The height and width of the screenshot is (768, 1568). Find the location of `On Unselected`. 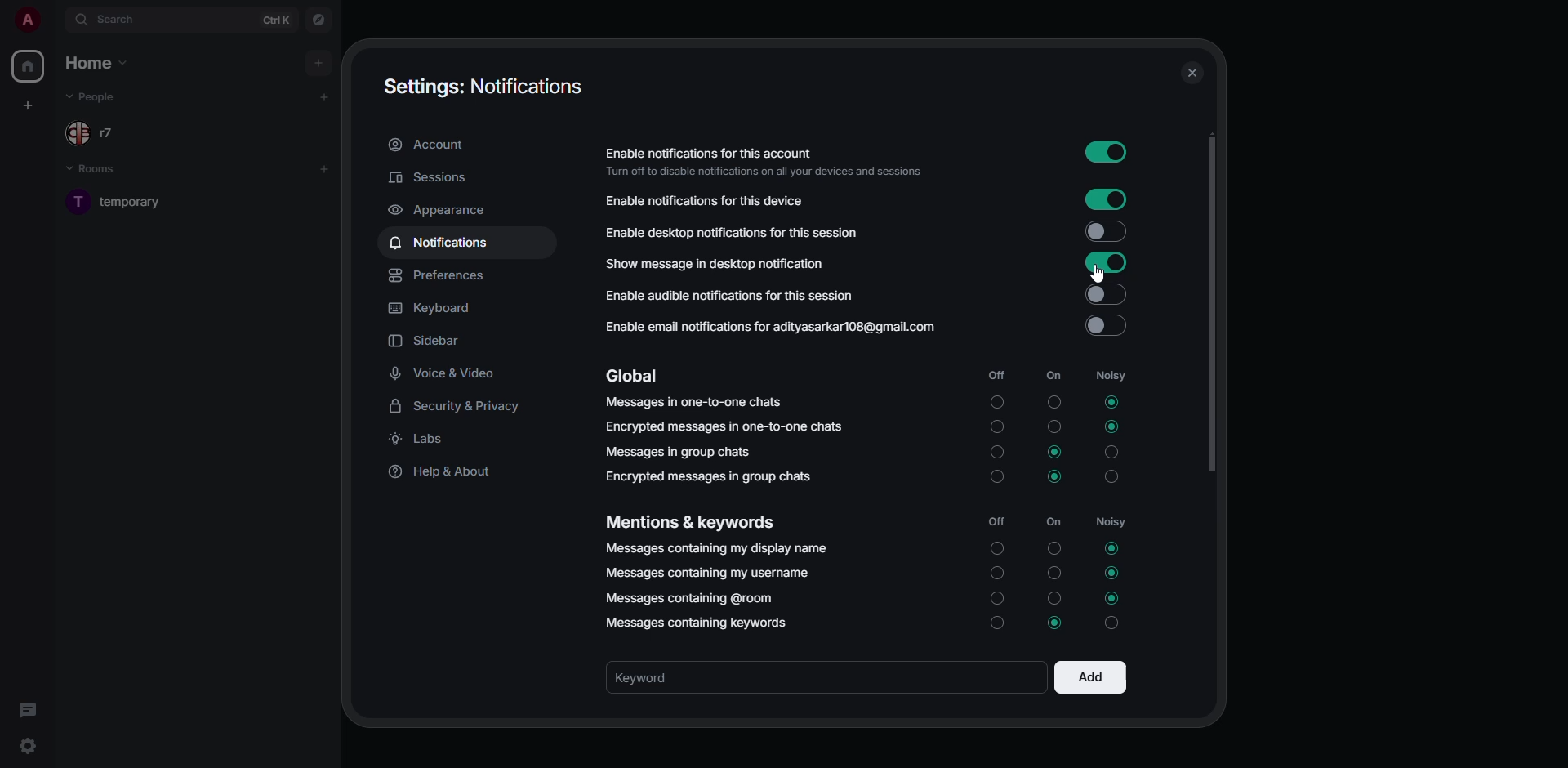

On Unselected is located at coordinates (1054, 549).